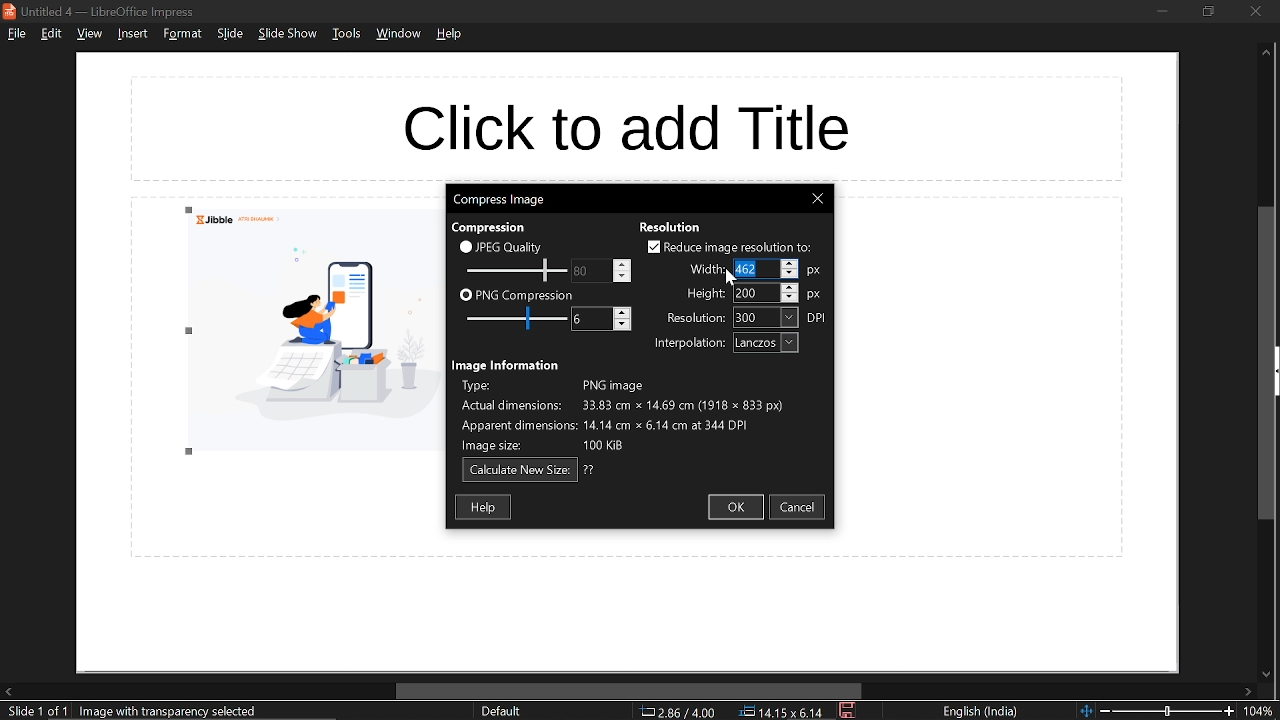 This screenshot has height=720, width=1280. Describe the element at coordinates (590, 470) in the screenshot. I see `question mark` at that location.